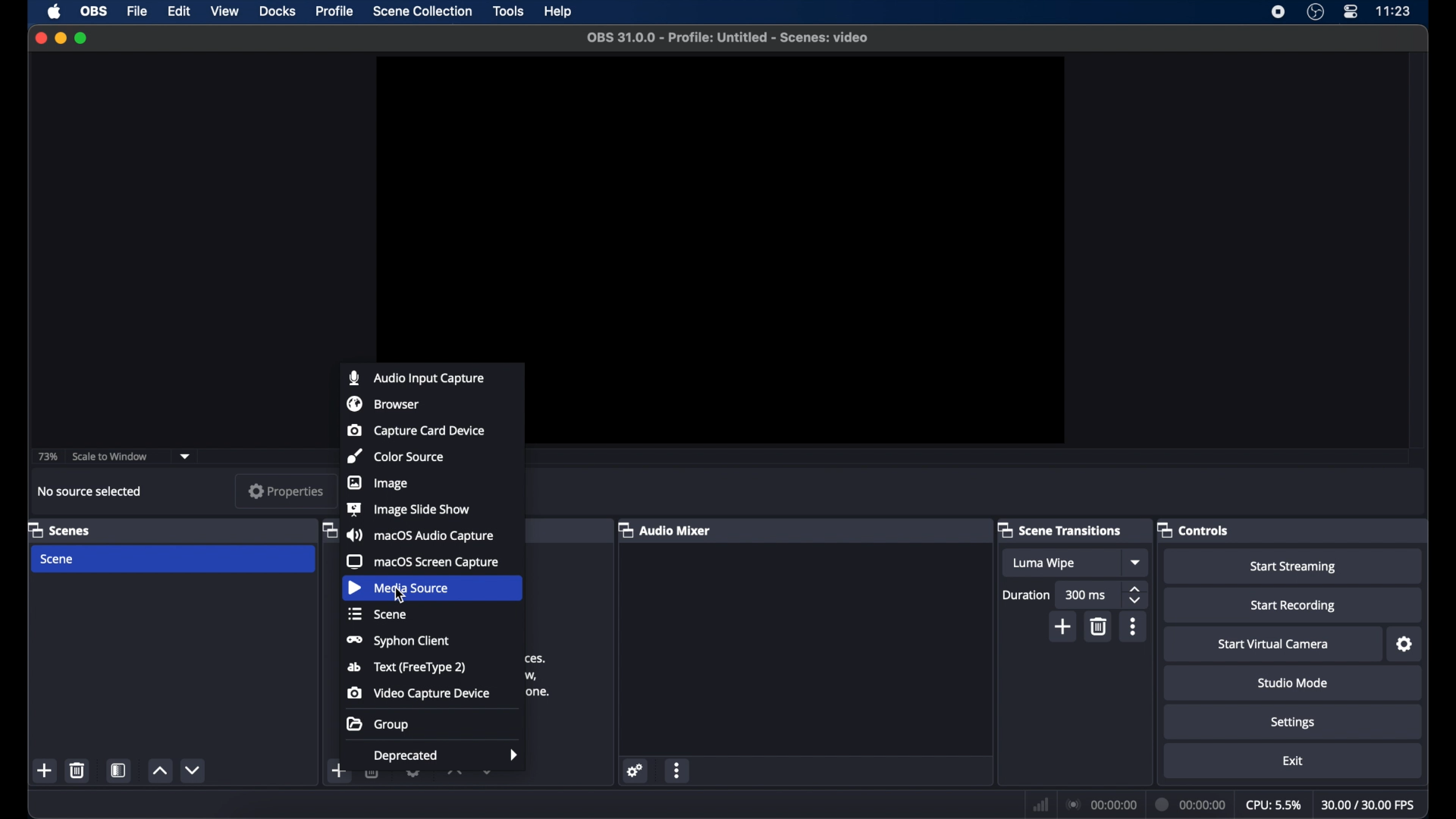  What do you see at coordinates (560, 12) in the screenshot?
I see `help` at bounding box center [560, 12].